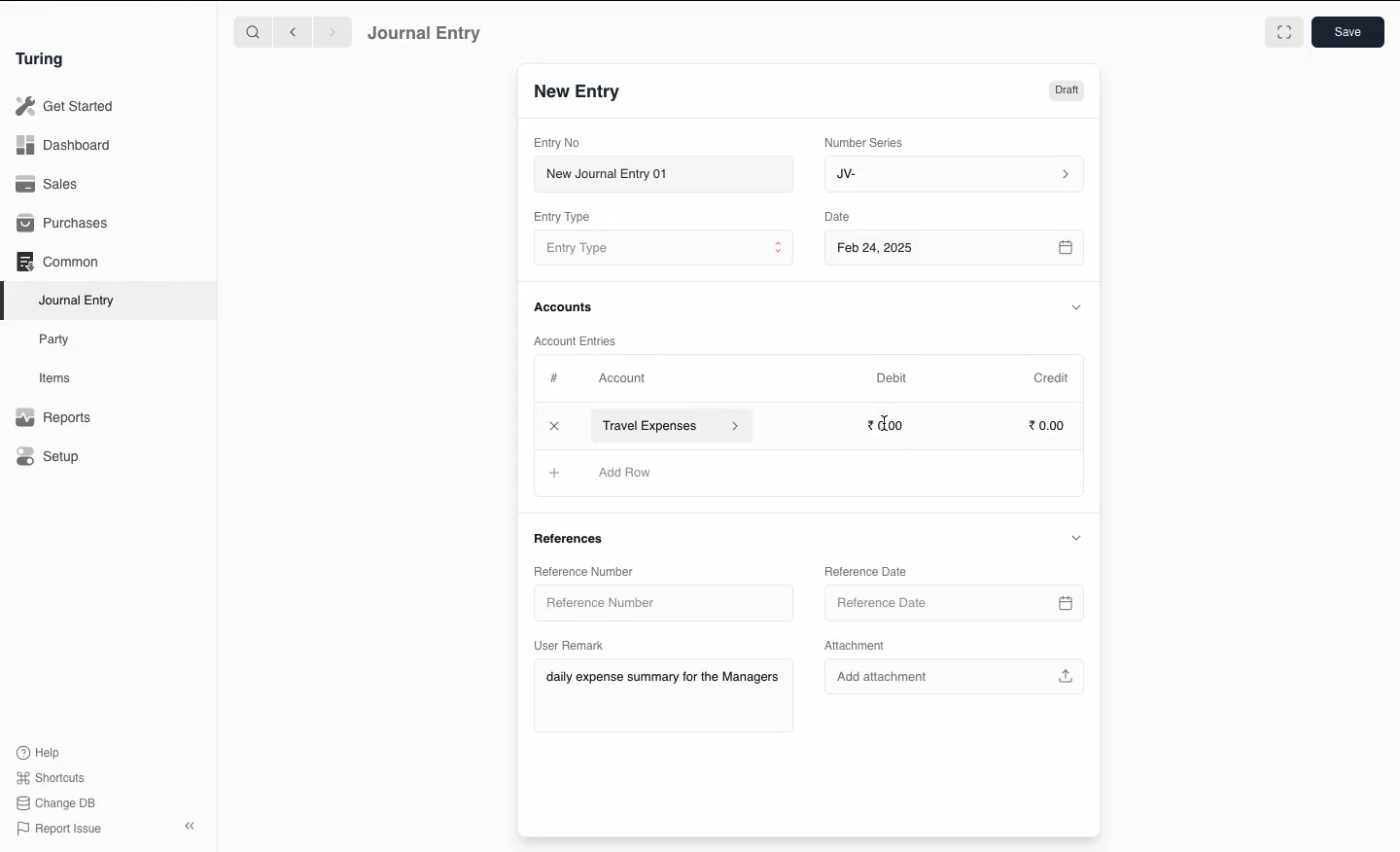  I want to click on Reference Number, so click(656, 603).